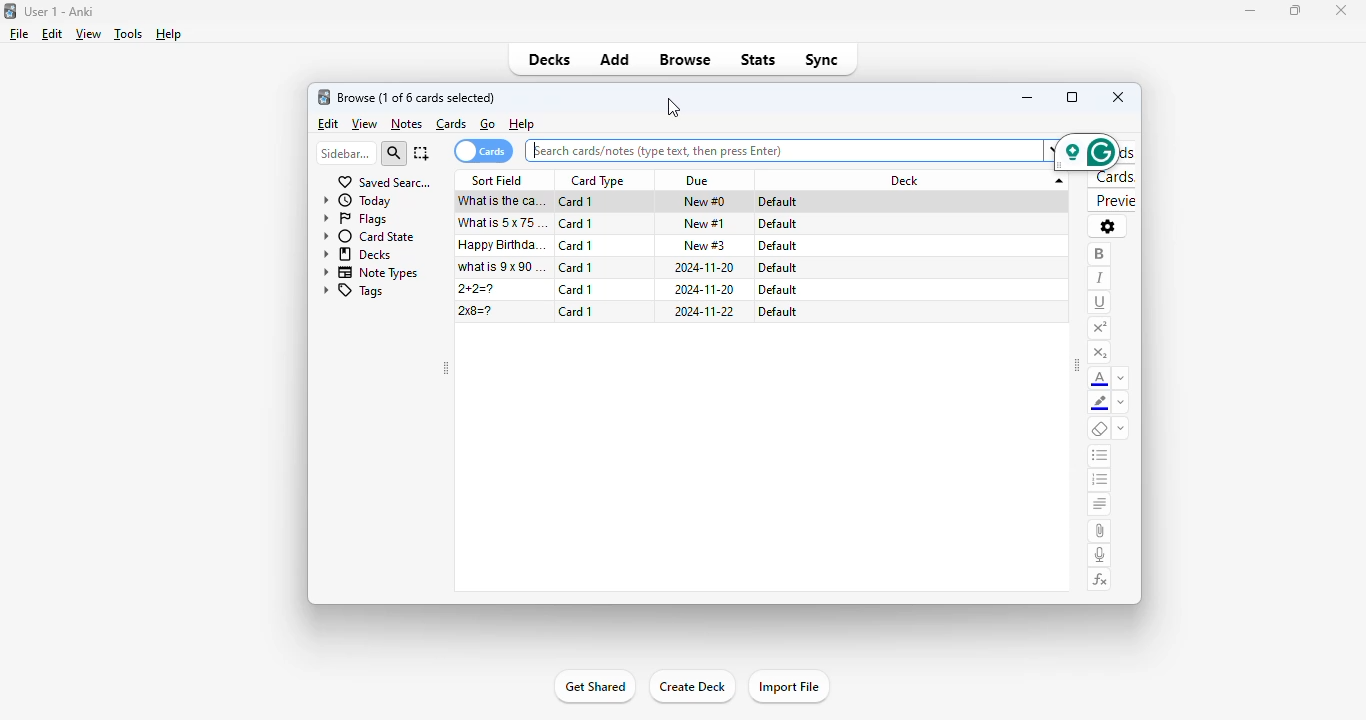  Describe the element at coordinates (59, 11) in the screenshot. I see `User 1- Anki` at that location.